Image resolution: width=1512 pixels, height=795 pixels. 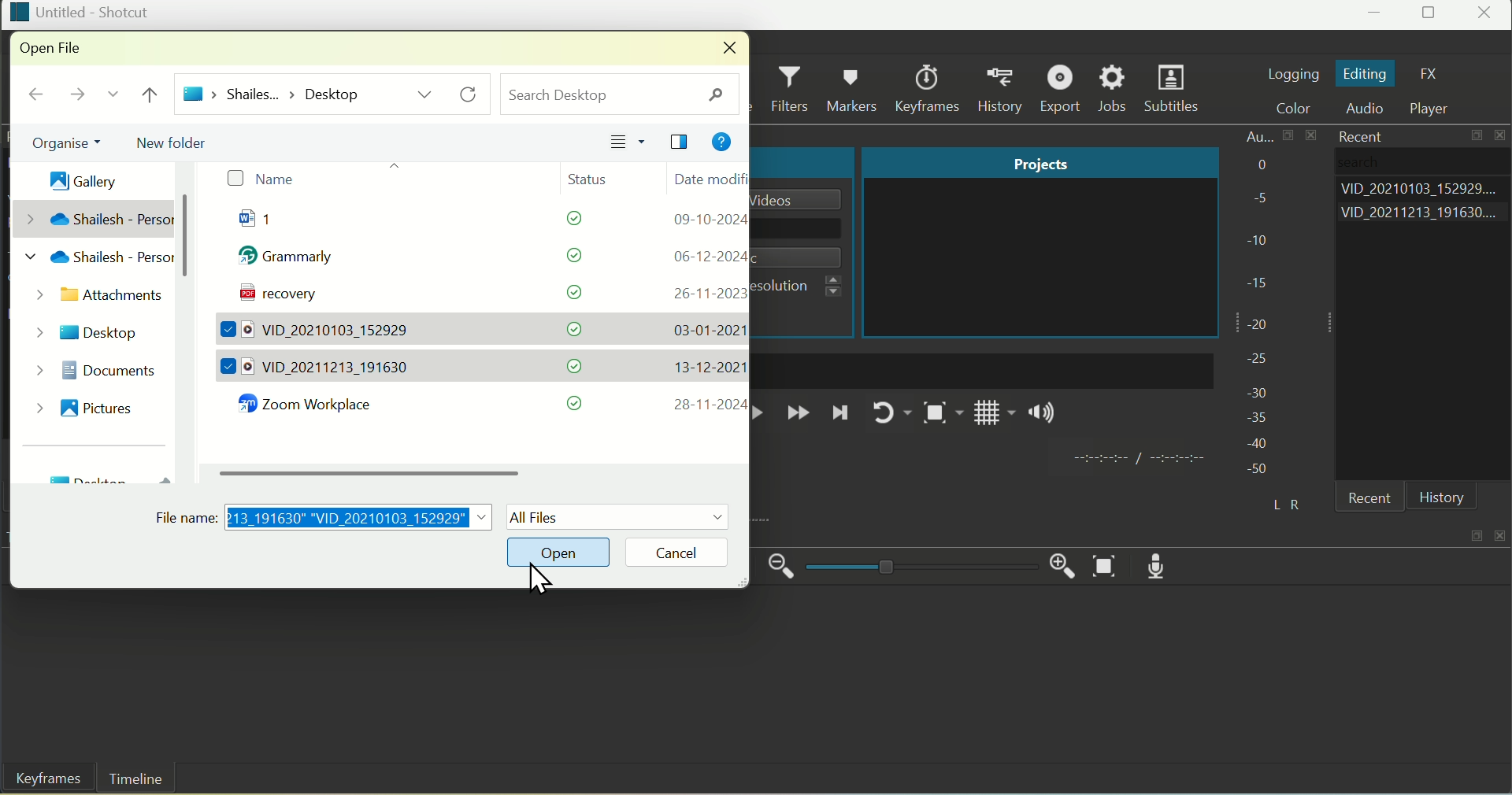 I want to click on Videos list, so click(x=1424, y=215).